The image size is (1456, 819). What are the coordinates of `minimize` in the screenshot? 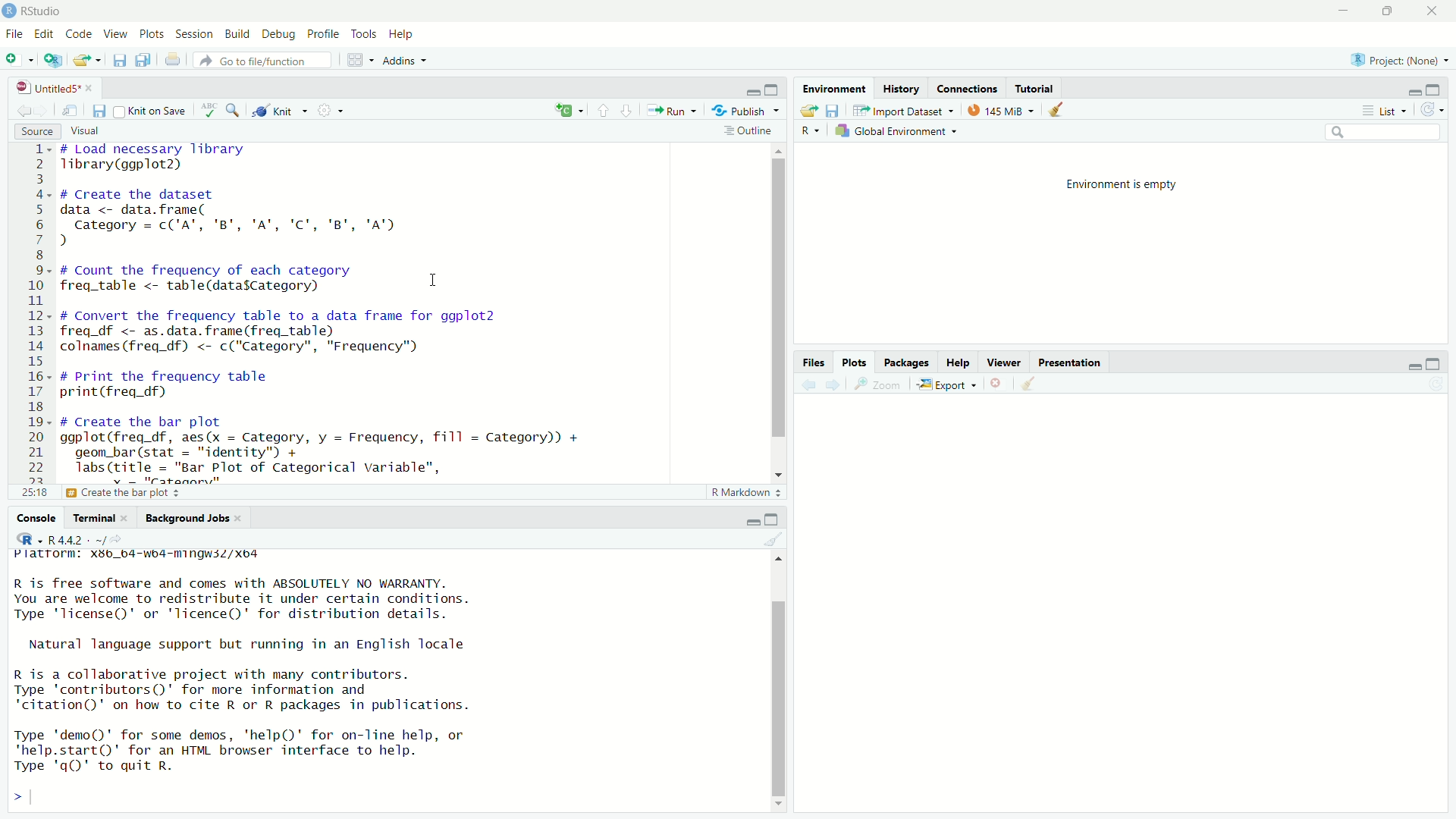 It's located at (752, 522).